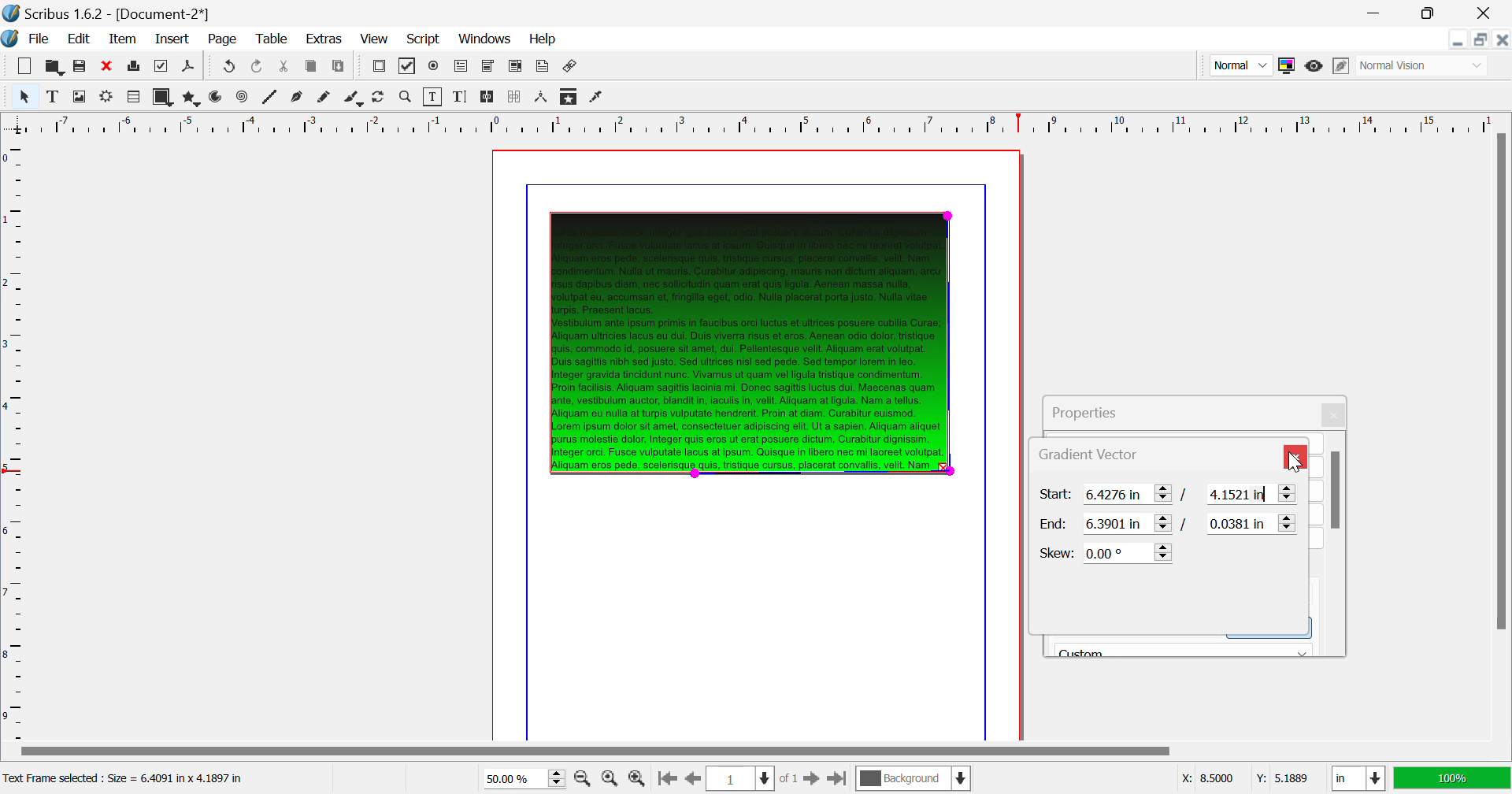 This screenshot has height=794, width=1512. What do you see at coordinates (1314, 68) in the screenshot?
I see `Preview Mode` at bounding box center [1314, 68].